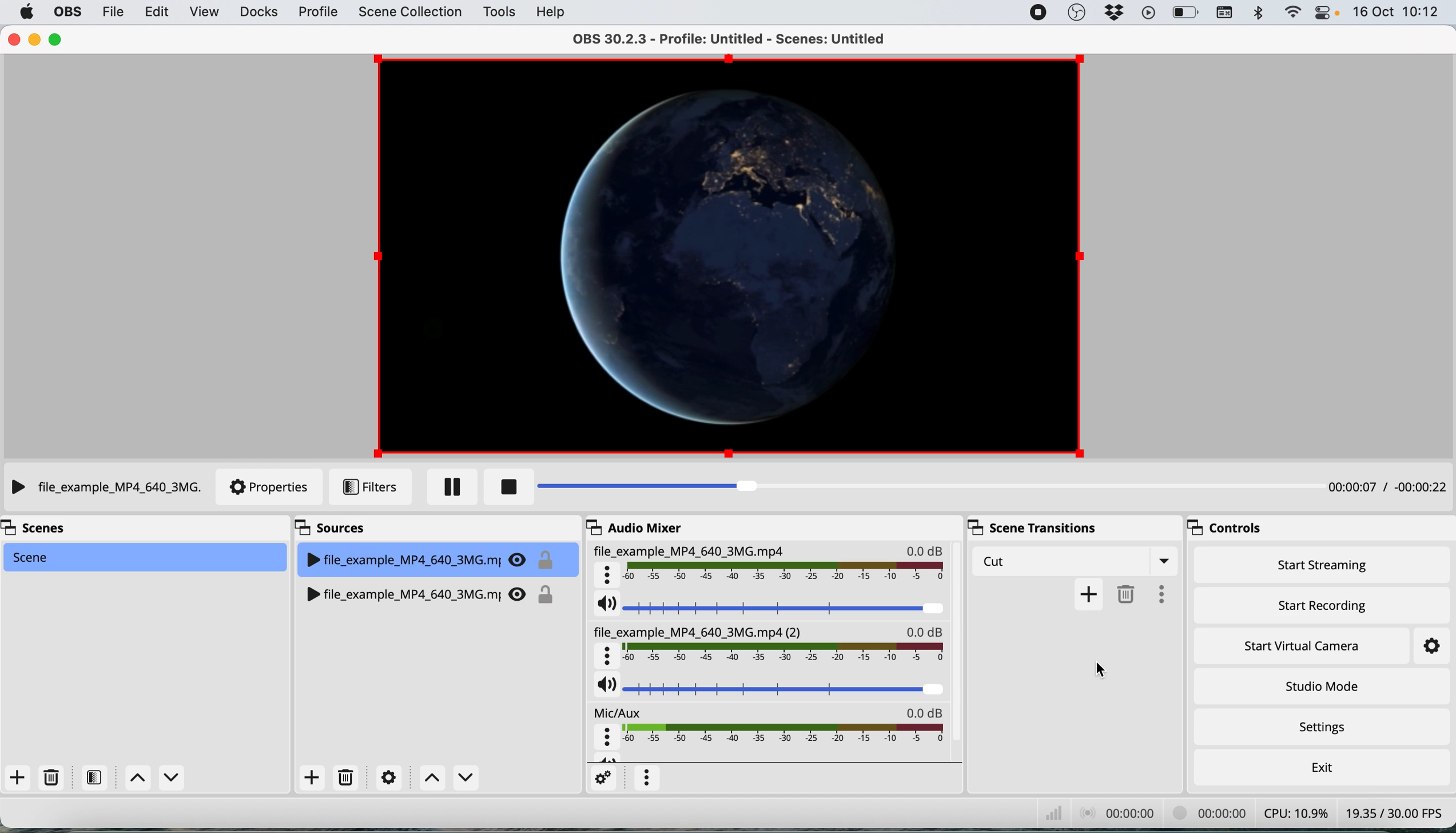 The image size is (1456, 833). I want to click on  file_example_MP4_640_3MG.mj, so click(431, 557).